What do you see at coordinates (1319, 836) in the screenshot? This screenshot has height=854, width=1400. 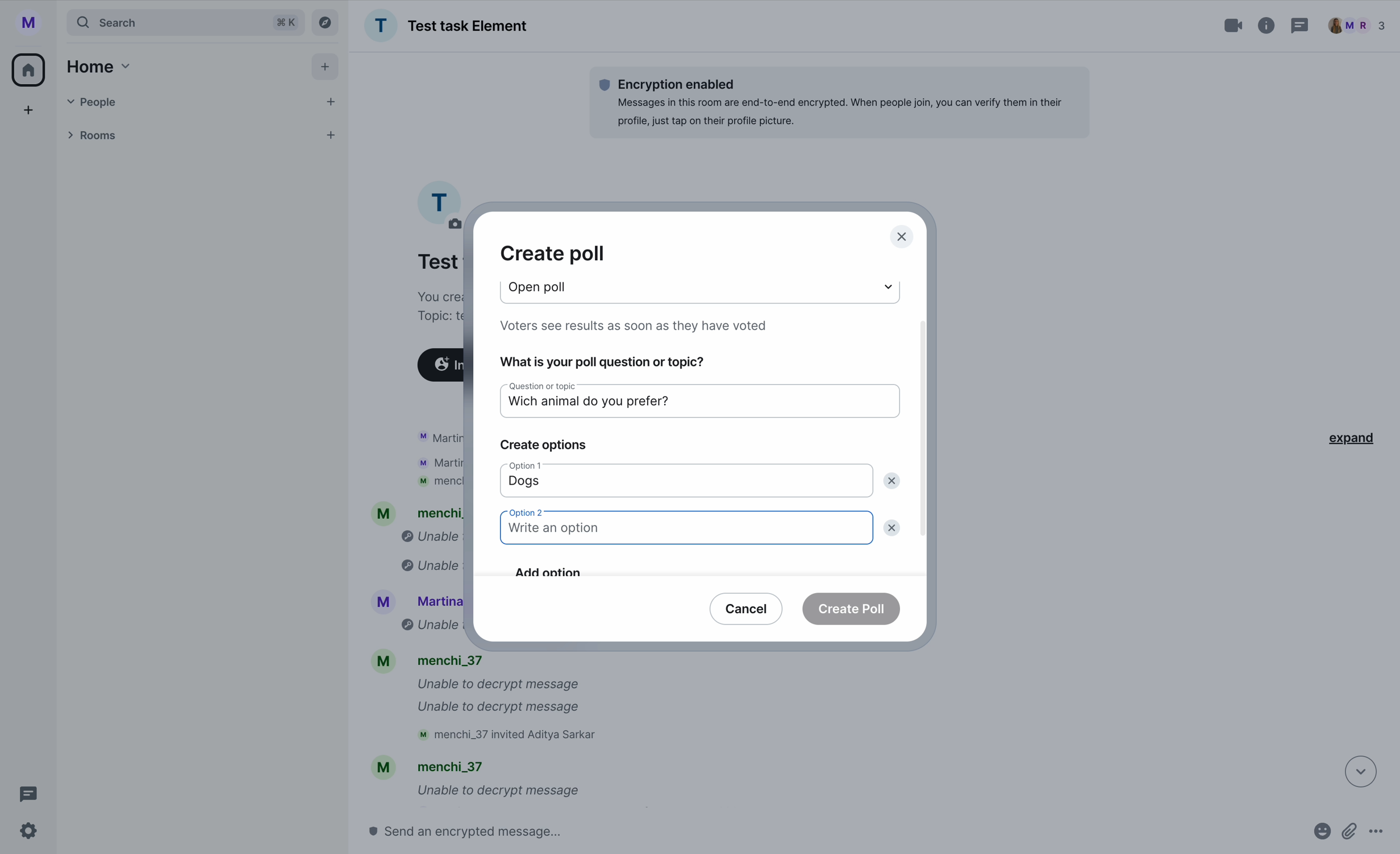 I see `emojis` at bounding box center [1319, 836].